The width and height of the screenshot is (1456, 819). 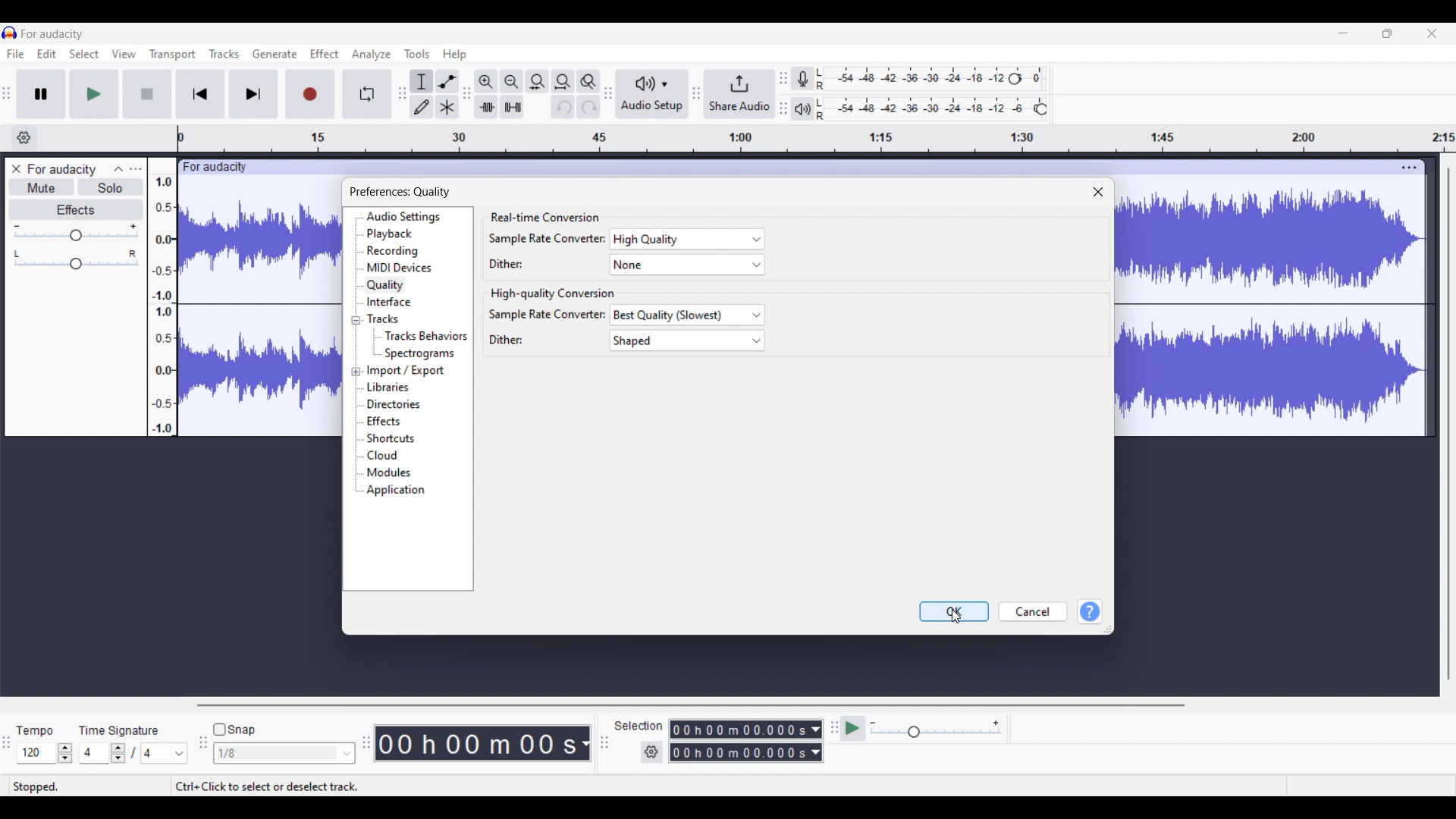 What do you see at coordinates (275, 54) in the screenshot?
I see `Generate menu` at bounding box center [275, 54].